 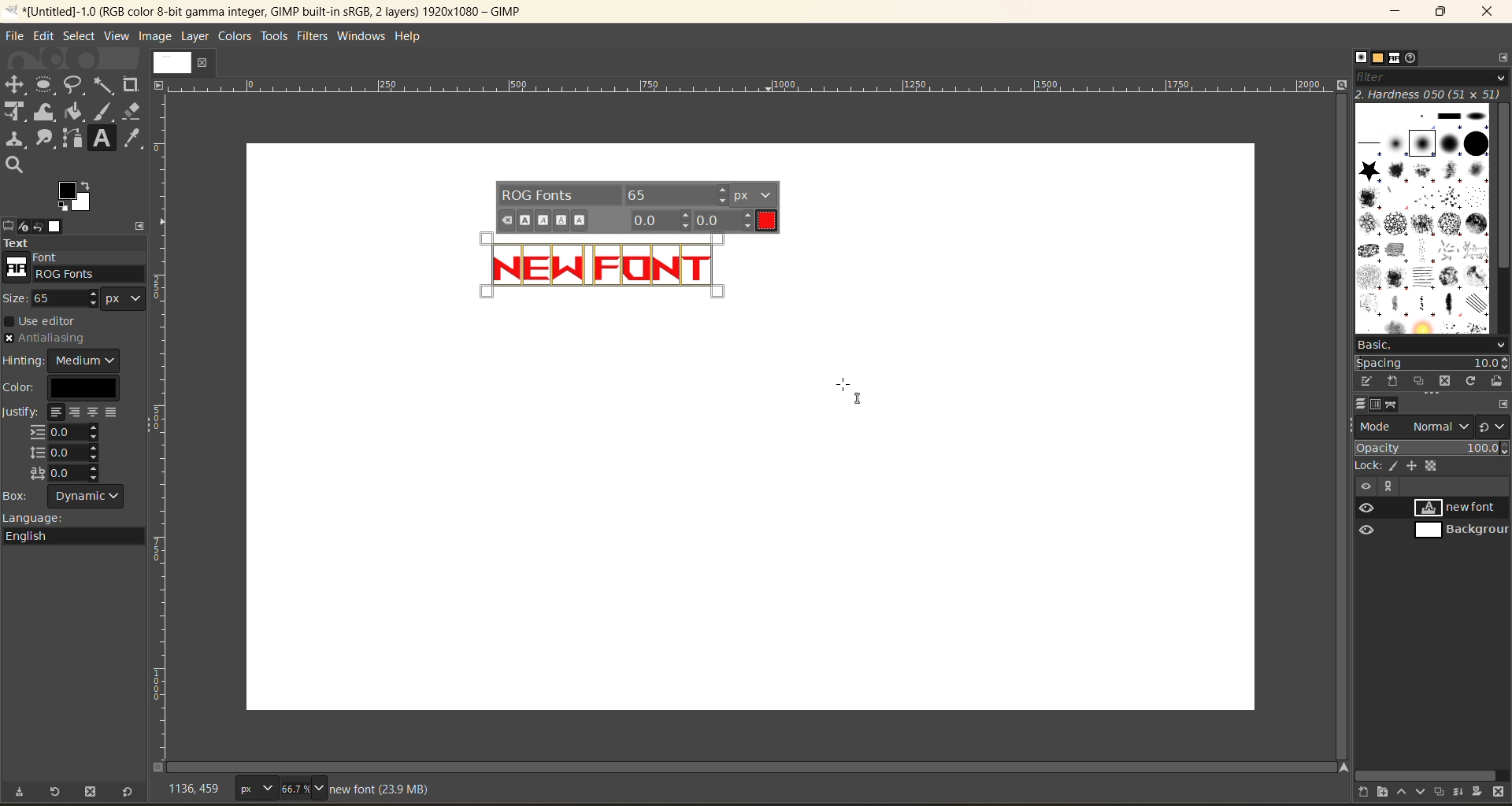 I want to click on text, so click(x=73, y=243).